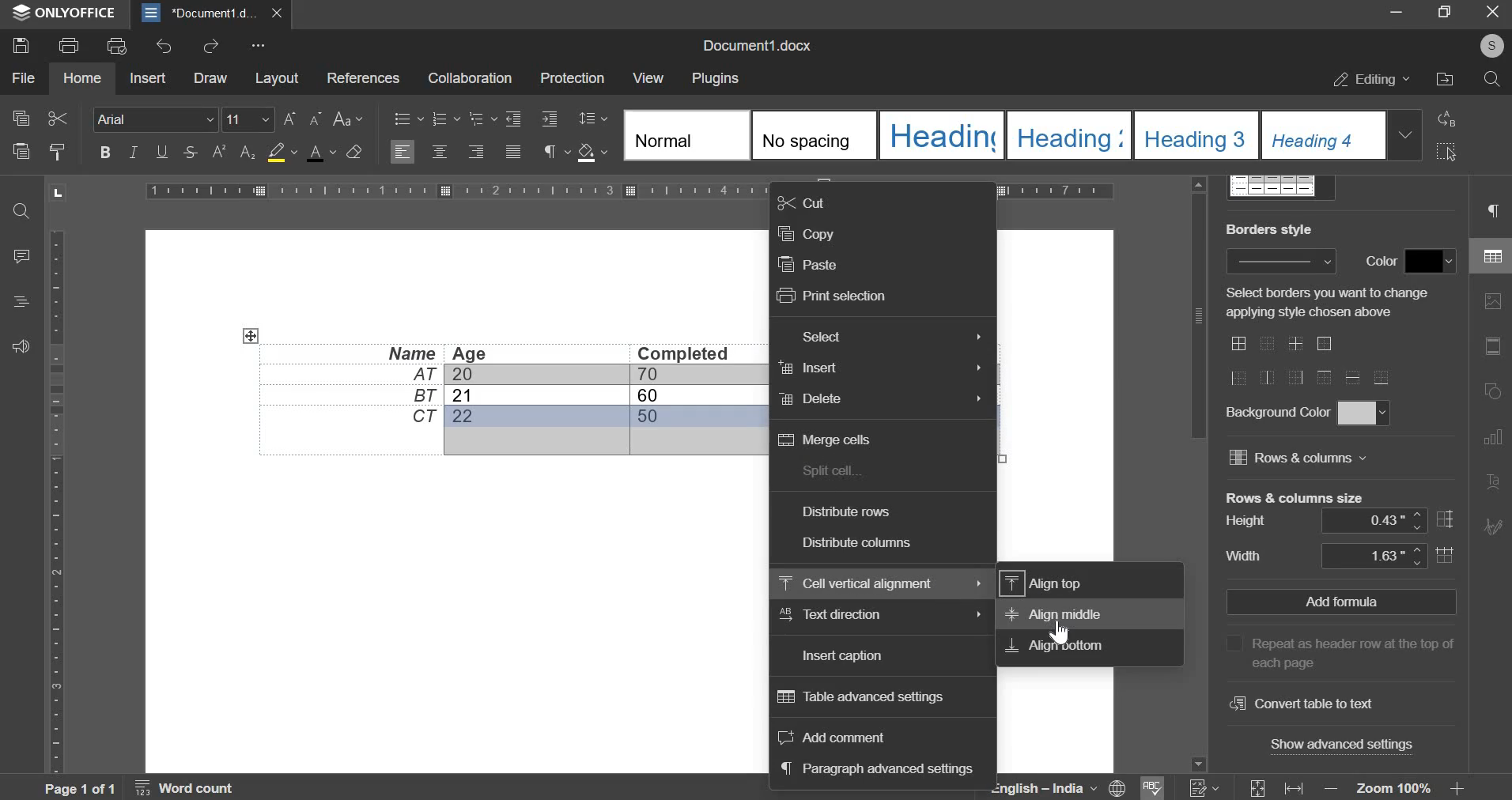 The width and height of the screenshot is (1512, 800). What do you see at coordinates (68, 46) in the screenshot?
I see `print` at bounding box center [68, 46].